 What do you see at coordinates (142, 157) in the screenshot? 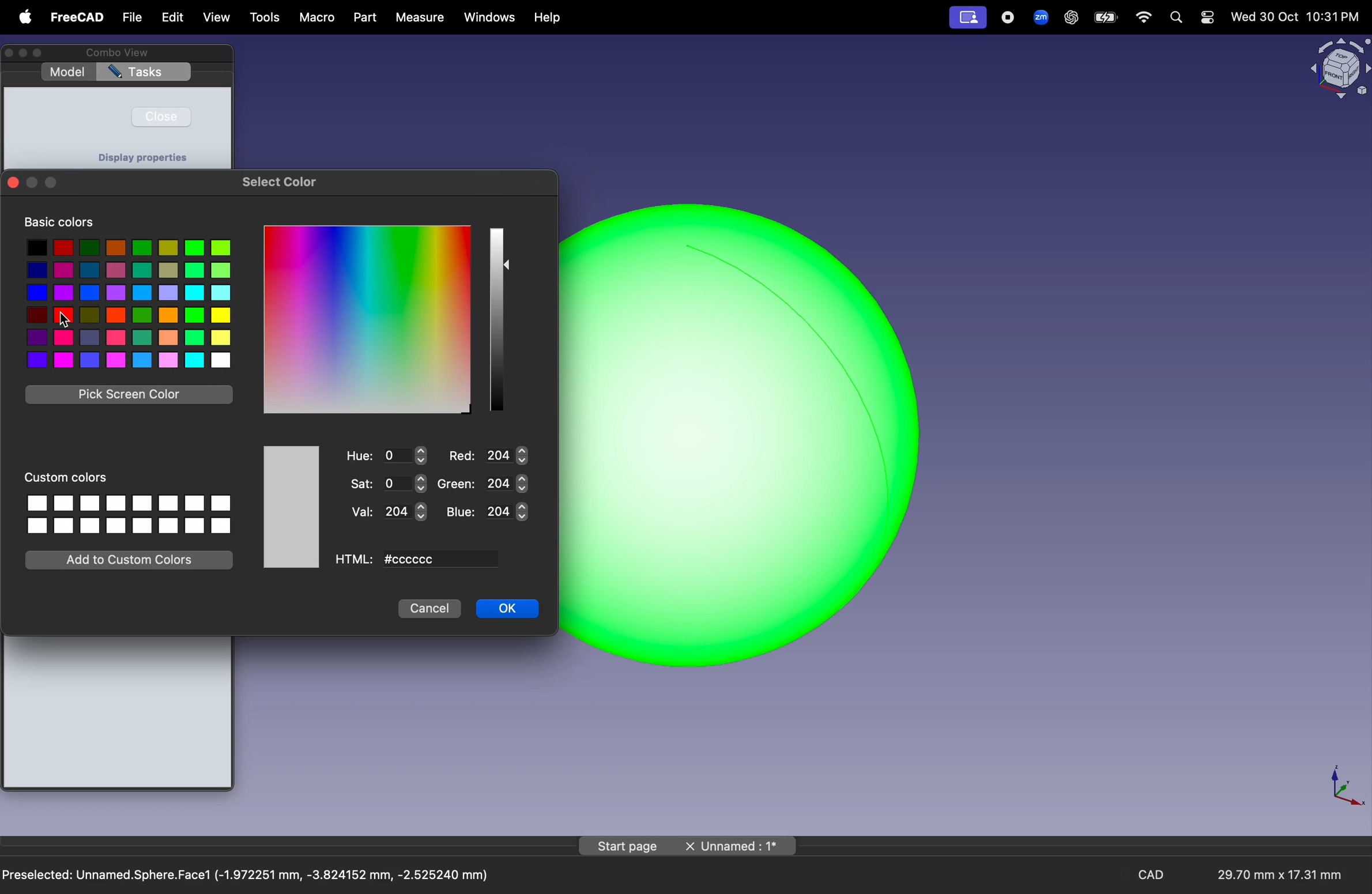
I see `Display properties` at bounding box center [142, 157].